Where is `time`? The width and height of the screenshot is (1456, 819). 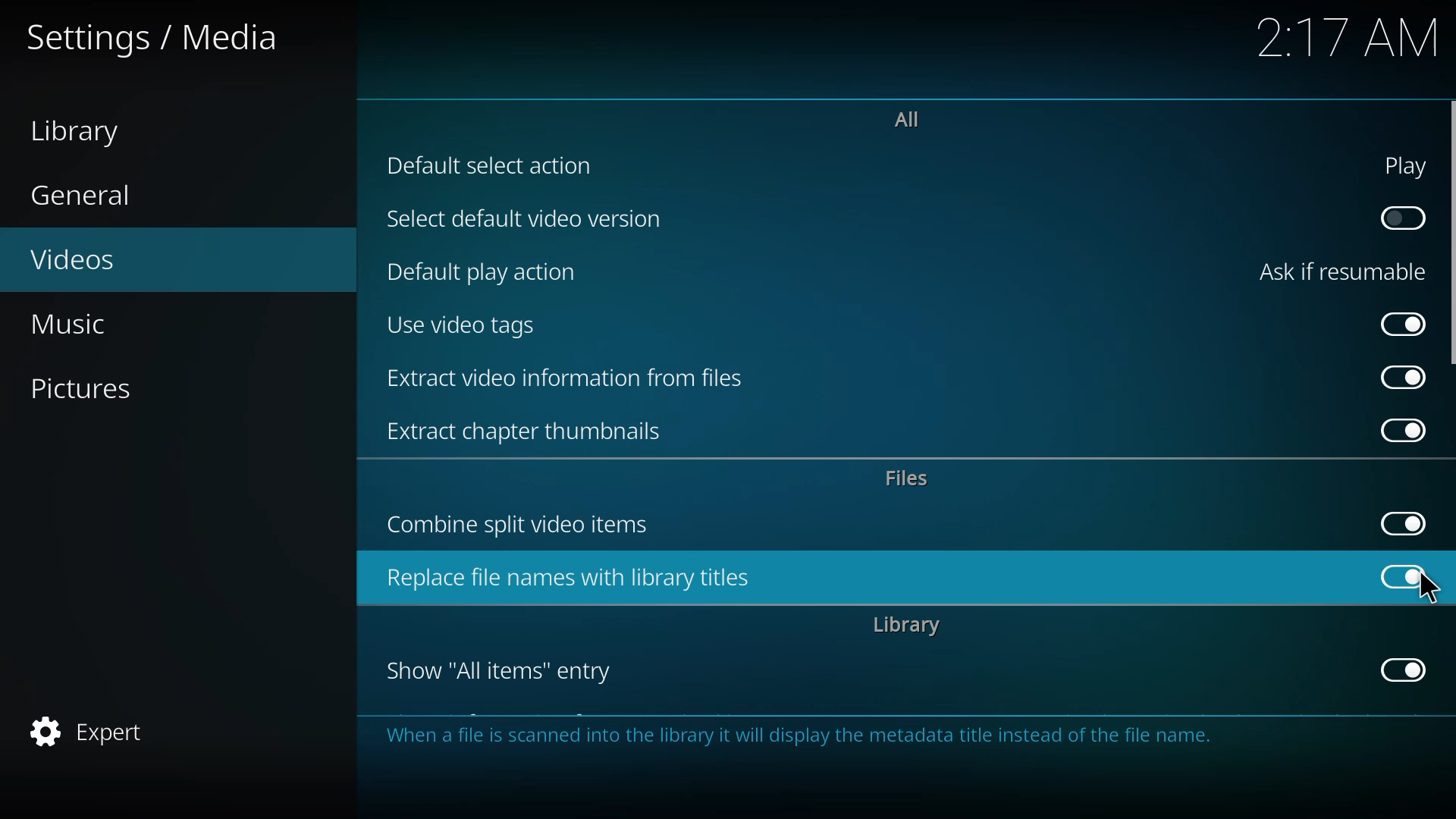
time is located at coordinates (1348, 37).